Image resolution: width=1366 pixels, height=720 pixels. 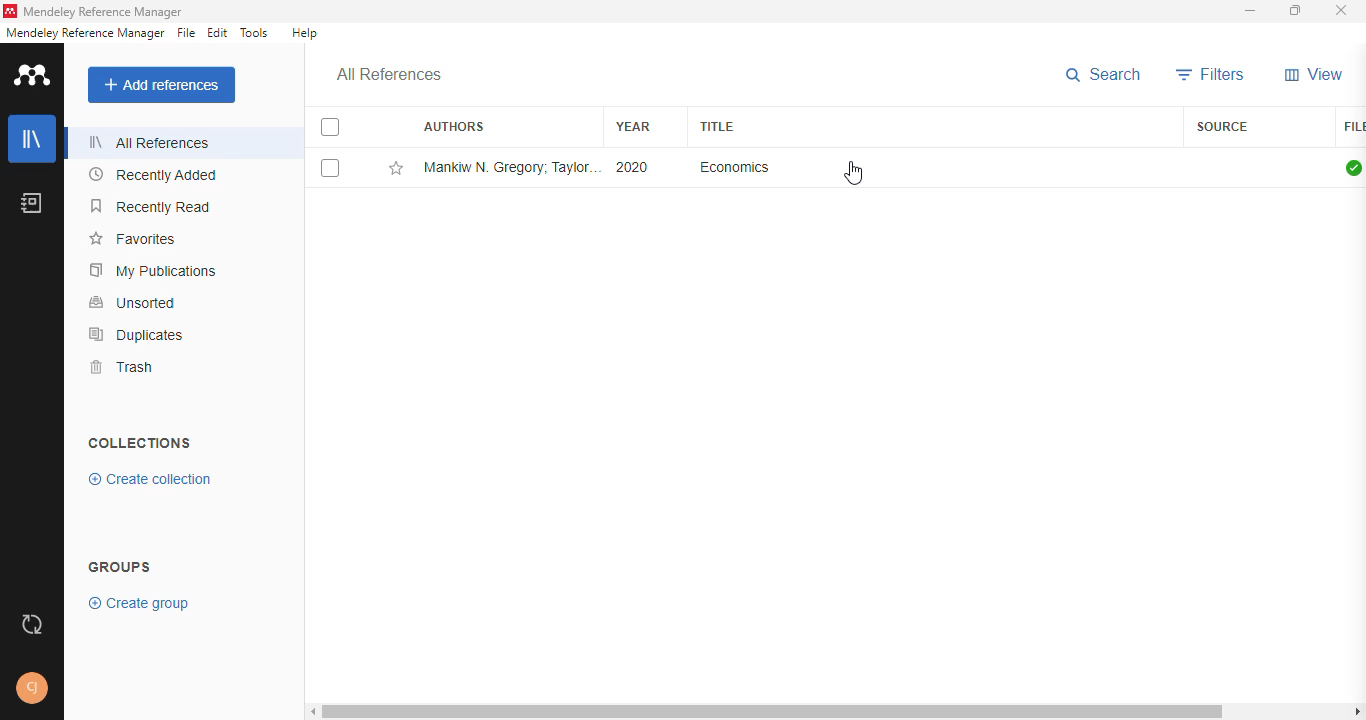 What do you see at coordinates (119, 566) in the screenshot?
I see `groups` at bounding box center [119, 566].